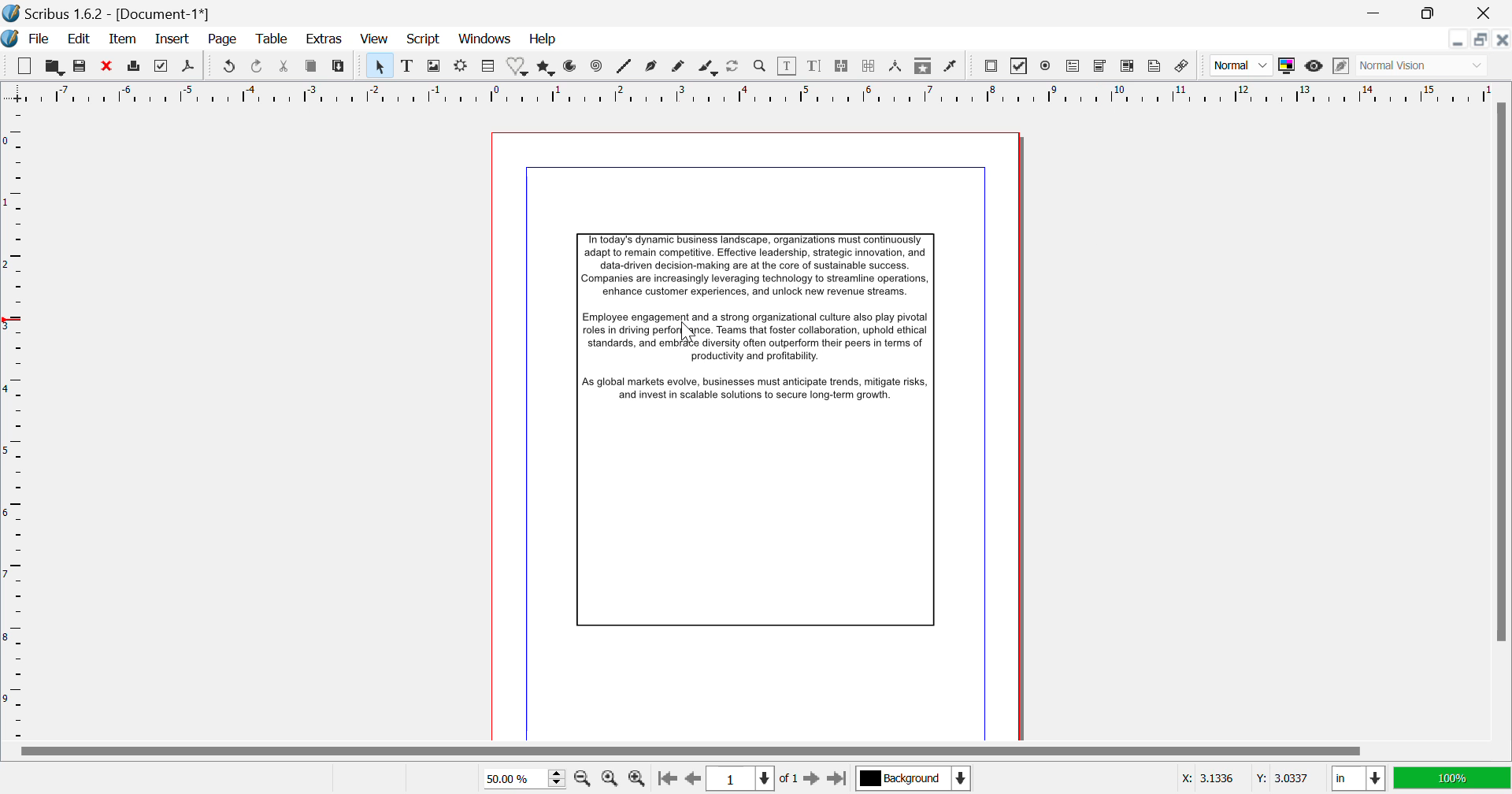  What do you see at coordinates (287, 67) in the screenshot?
I see `Cut` at bounding box center [287, 67].